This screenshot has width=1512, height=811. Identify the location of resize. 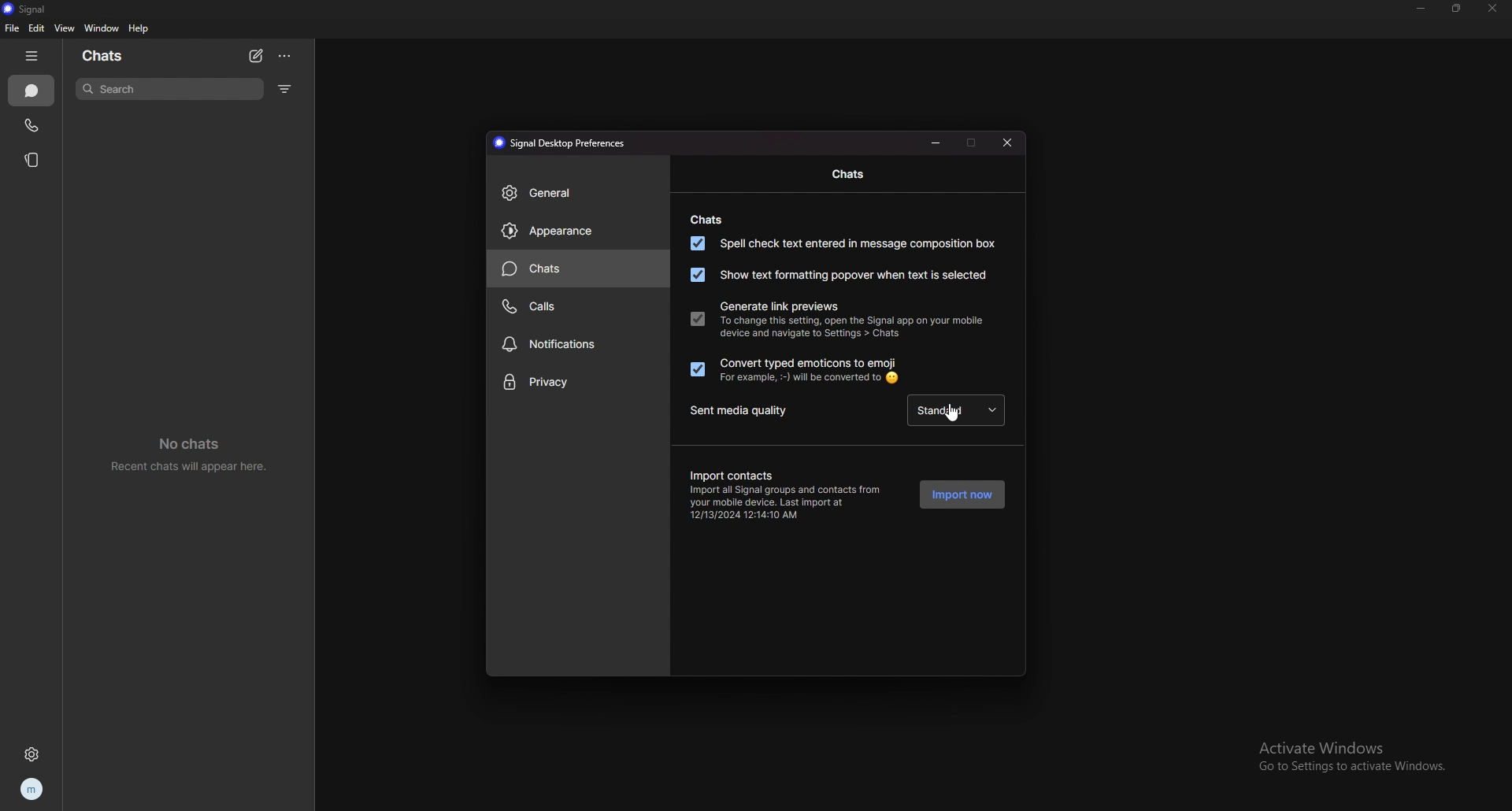
(1457, 7).